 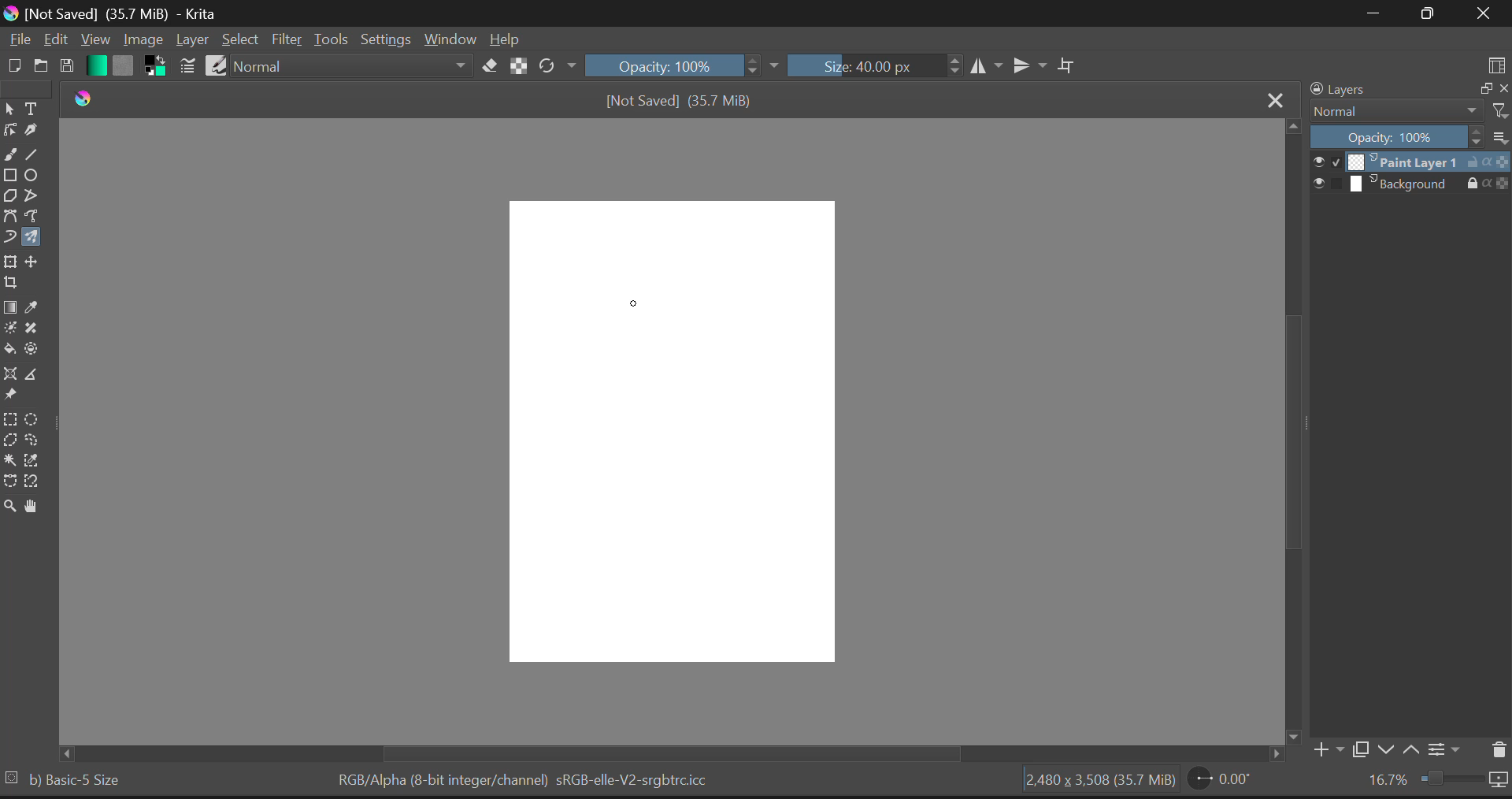 What do you see at coordinates (9, 347) in the screenshot?
I see `Fill` at bounding box center [9, 347].